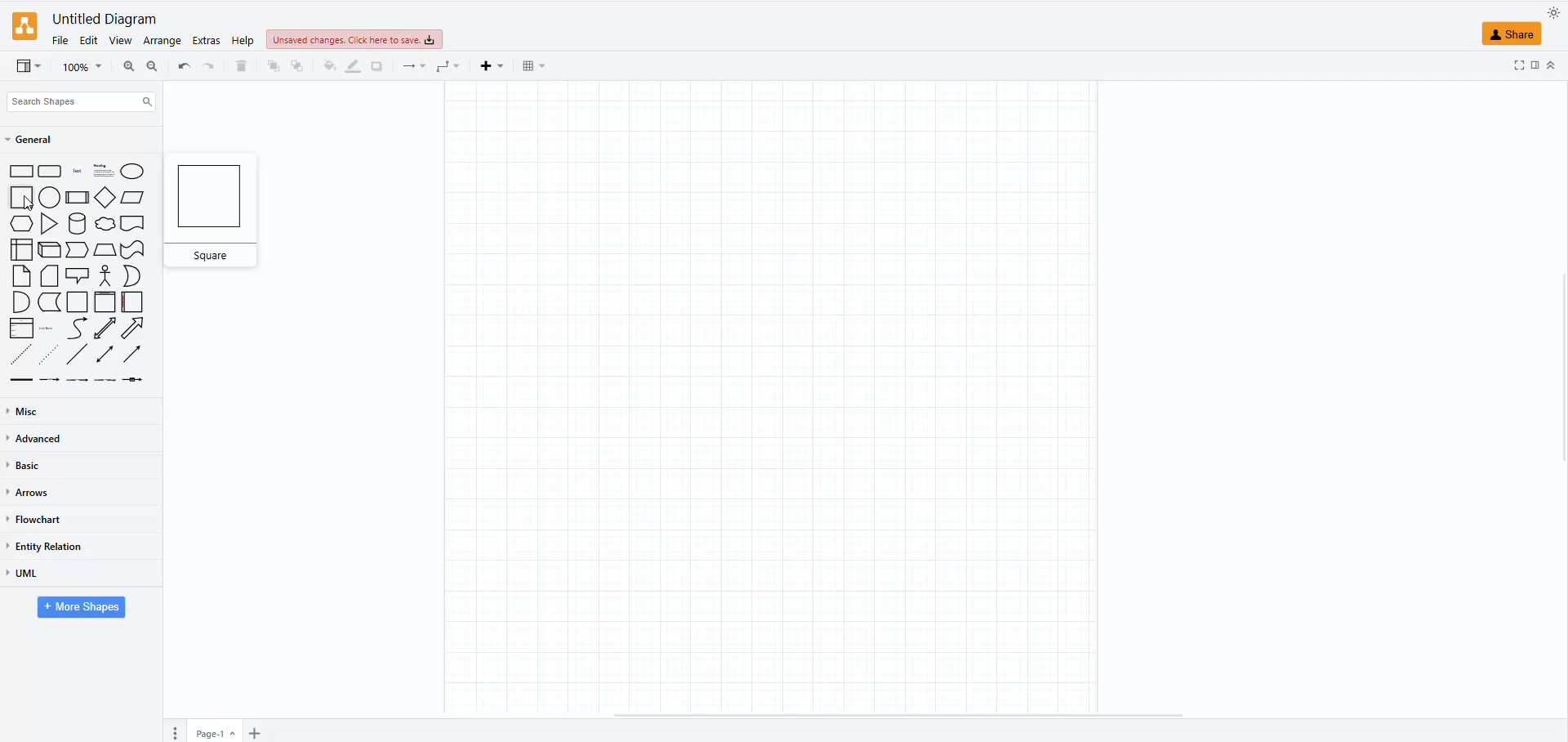 Image resolution: width=1568 pixels, height=742 pixels. What do you see at coordinates (49, 546) in the screenshot?
I see `entity relation` at bounding box center [49, 546].